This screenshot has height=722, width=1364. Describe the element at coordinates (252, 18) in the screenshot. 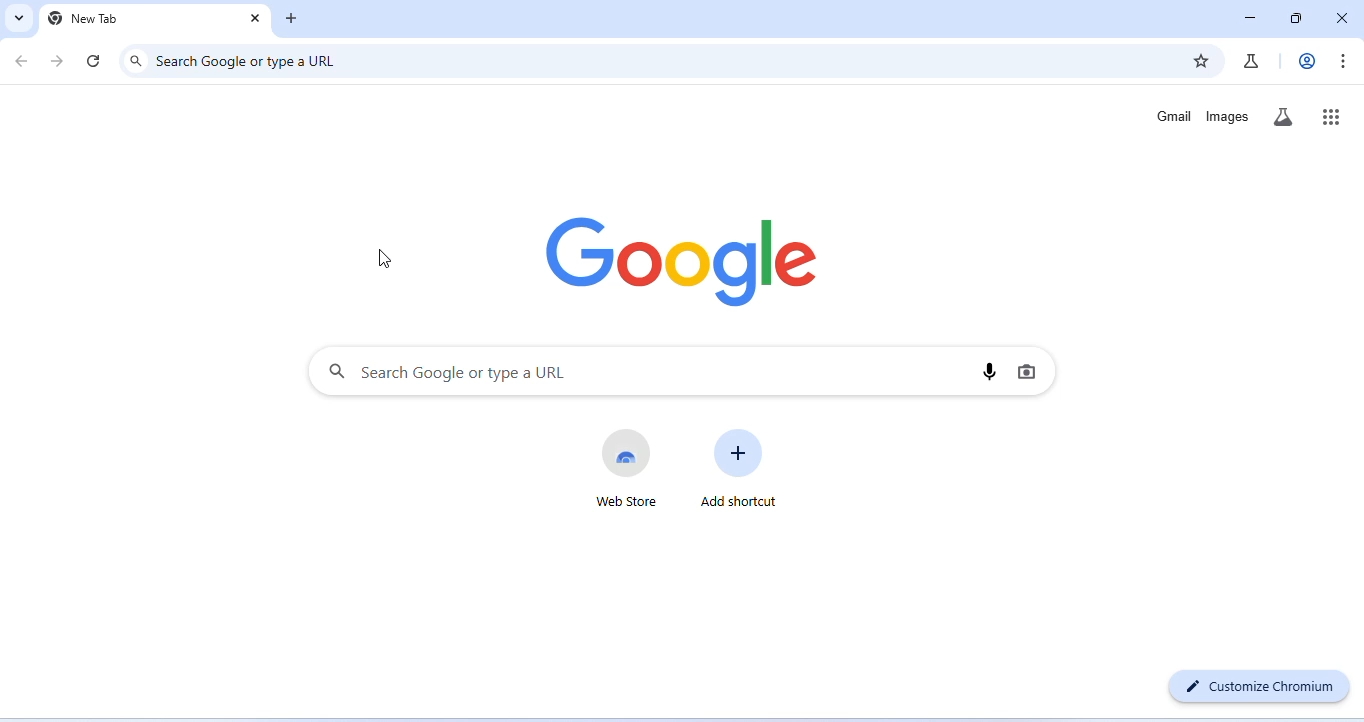

I see `close` at that location.